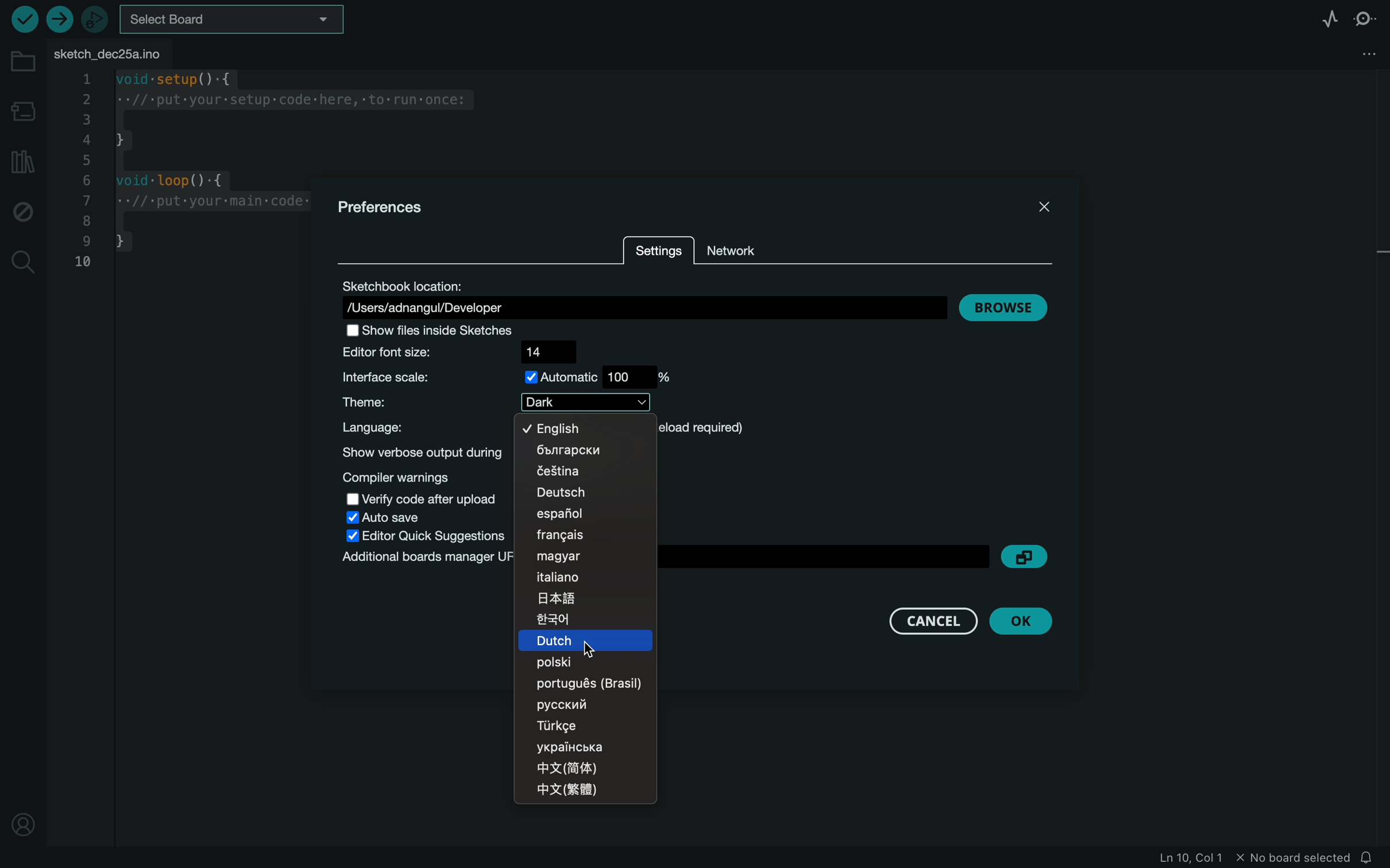  What do you see at coordinates (386, 207) in the screenshot?
I see `prefernces` at bounding box center [386, 207].